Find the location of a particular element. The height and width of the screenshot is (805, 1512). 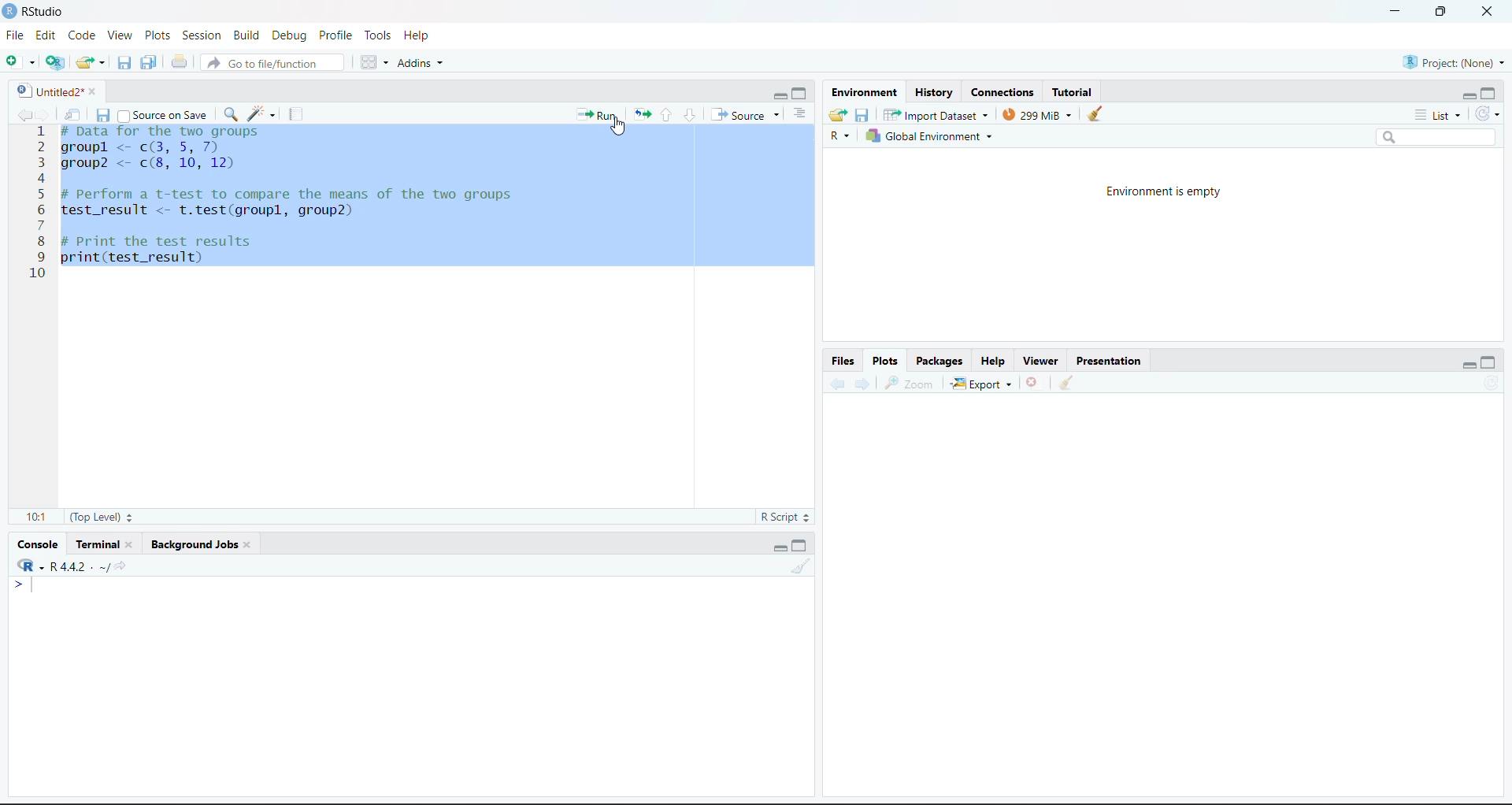

previous plot is located at coordinates (837, 381).